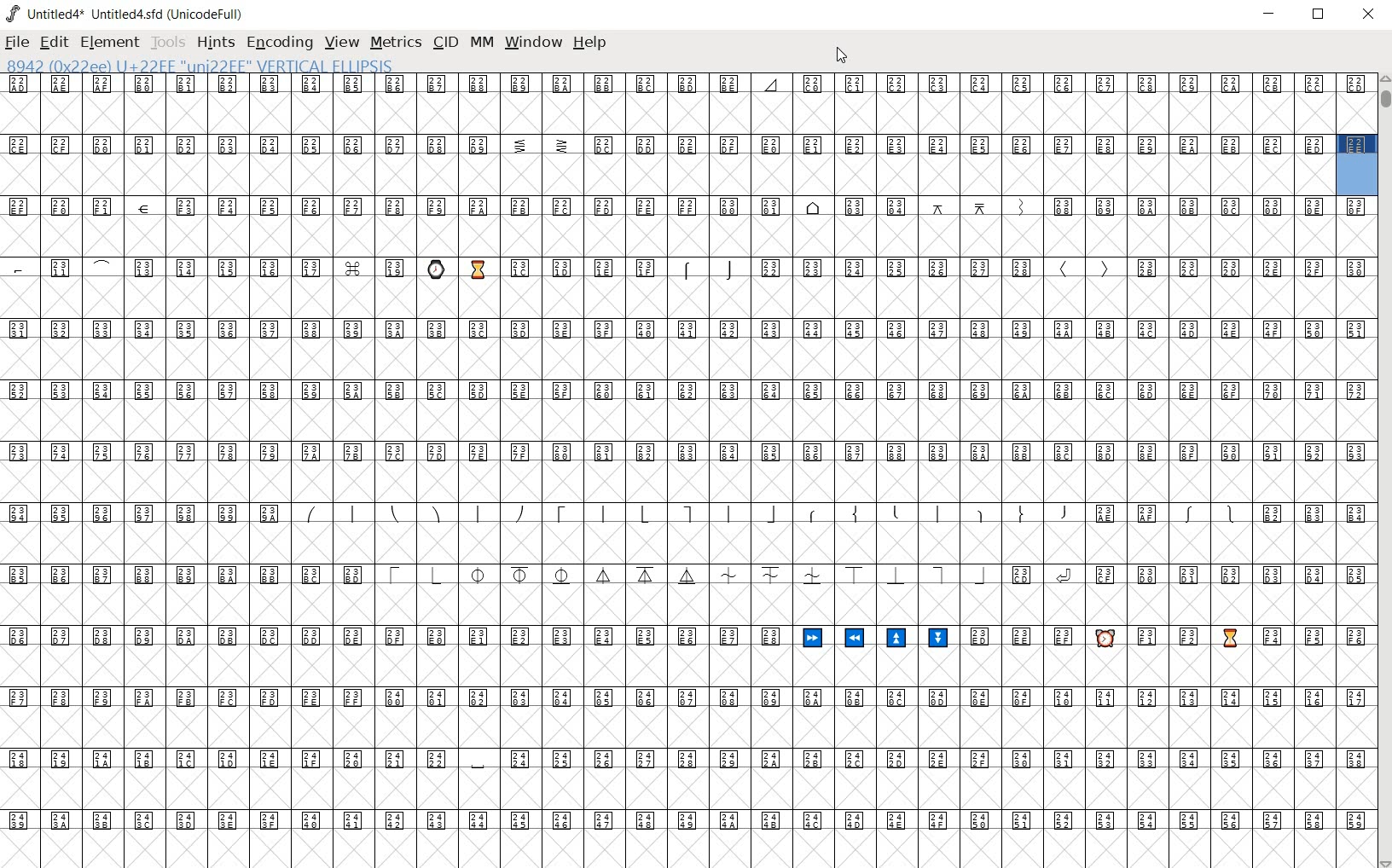 This screenshot has height=868, width=1392. What do you see at coordinates (686, 465) in the screenshot?
I see `glyph characters` at bounding box center [686, 465].